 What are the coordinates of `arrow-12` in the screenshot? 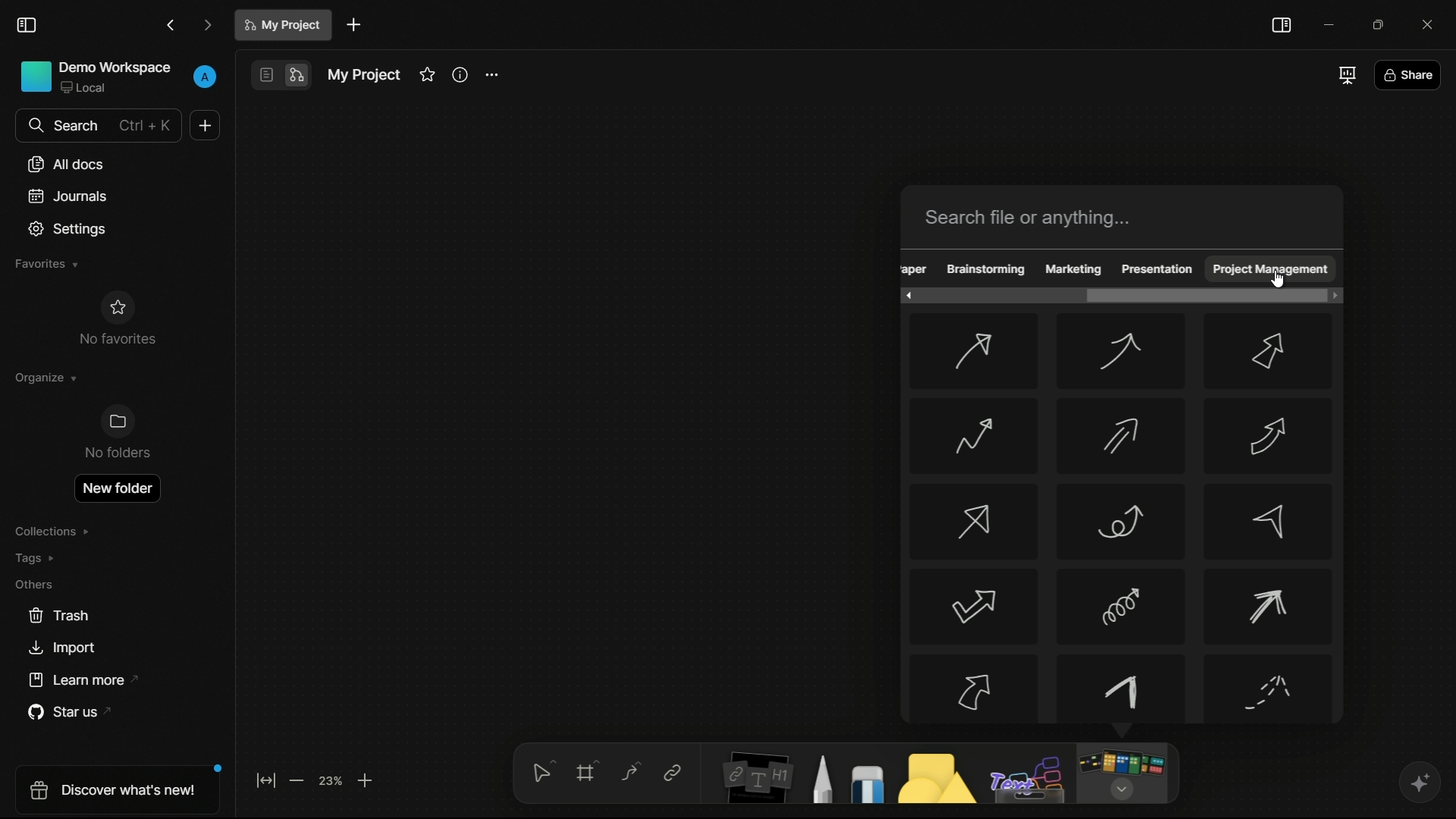 It's located at (1271, 607).